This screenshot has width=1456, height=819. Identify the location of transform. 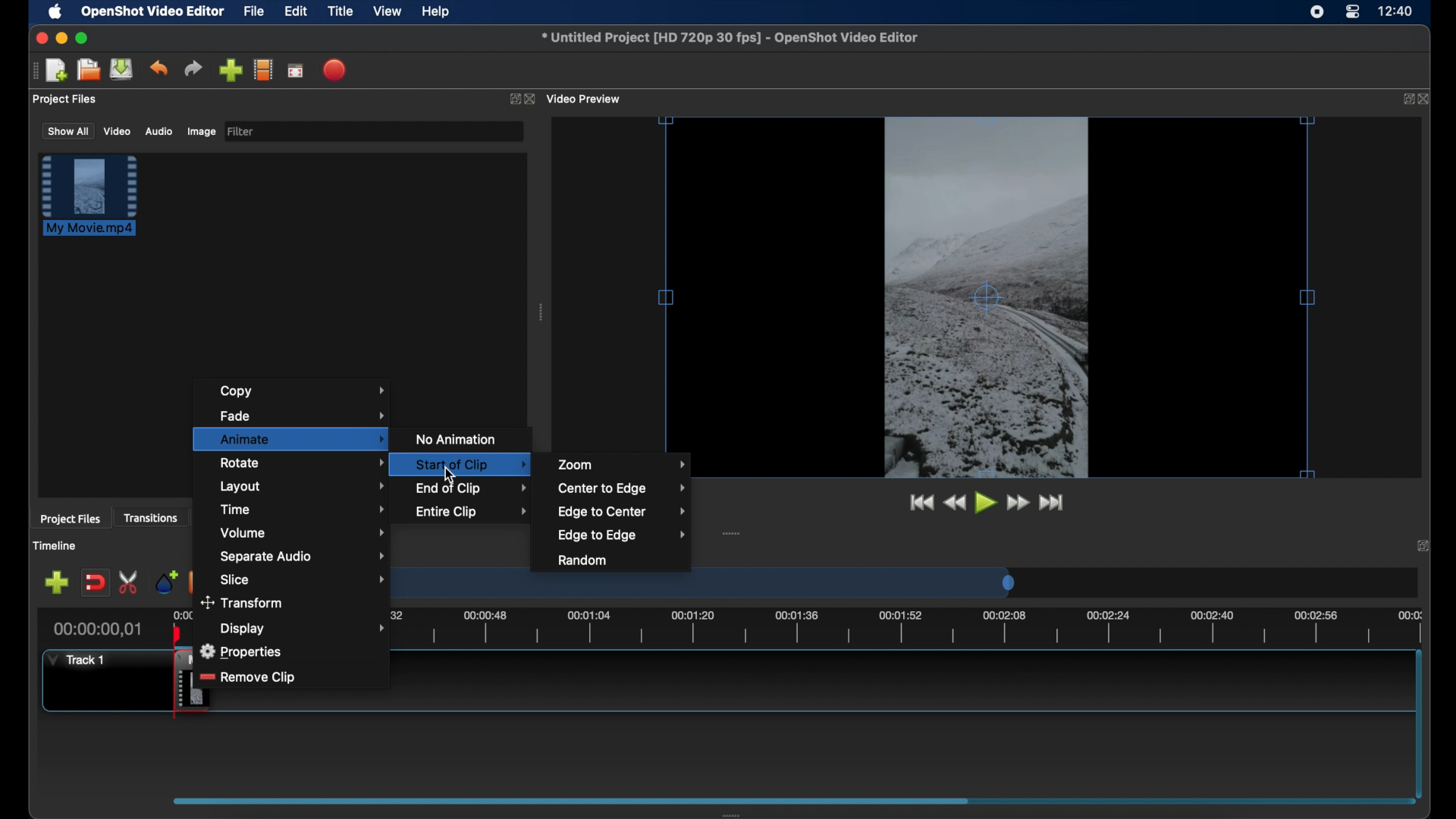
(245, 604).